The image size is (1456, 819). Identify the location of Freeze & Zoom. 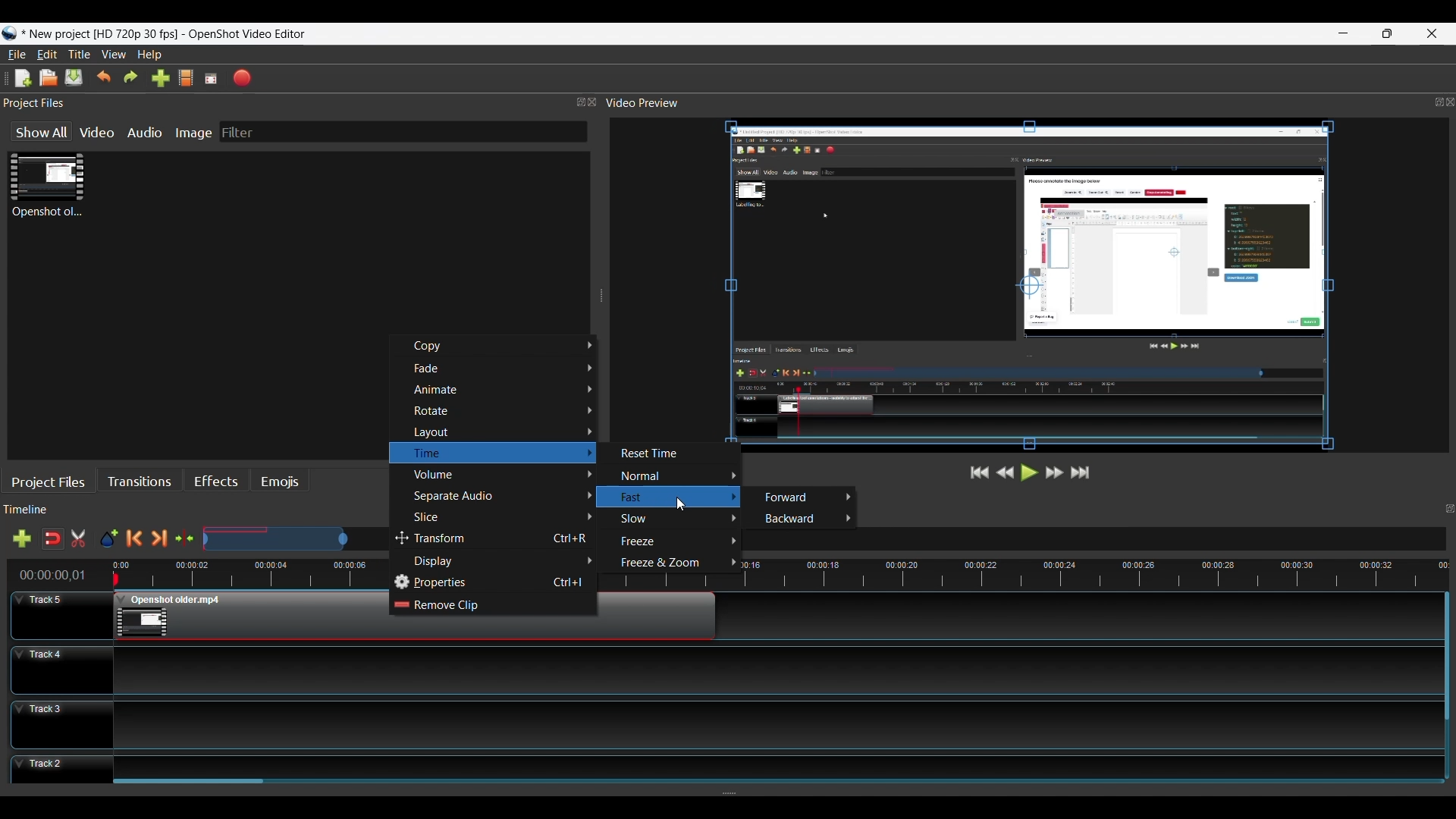
(673, 563).